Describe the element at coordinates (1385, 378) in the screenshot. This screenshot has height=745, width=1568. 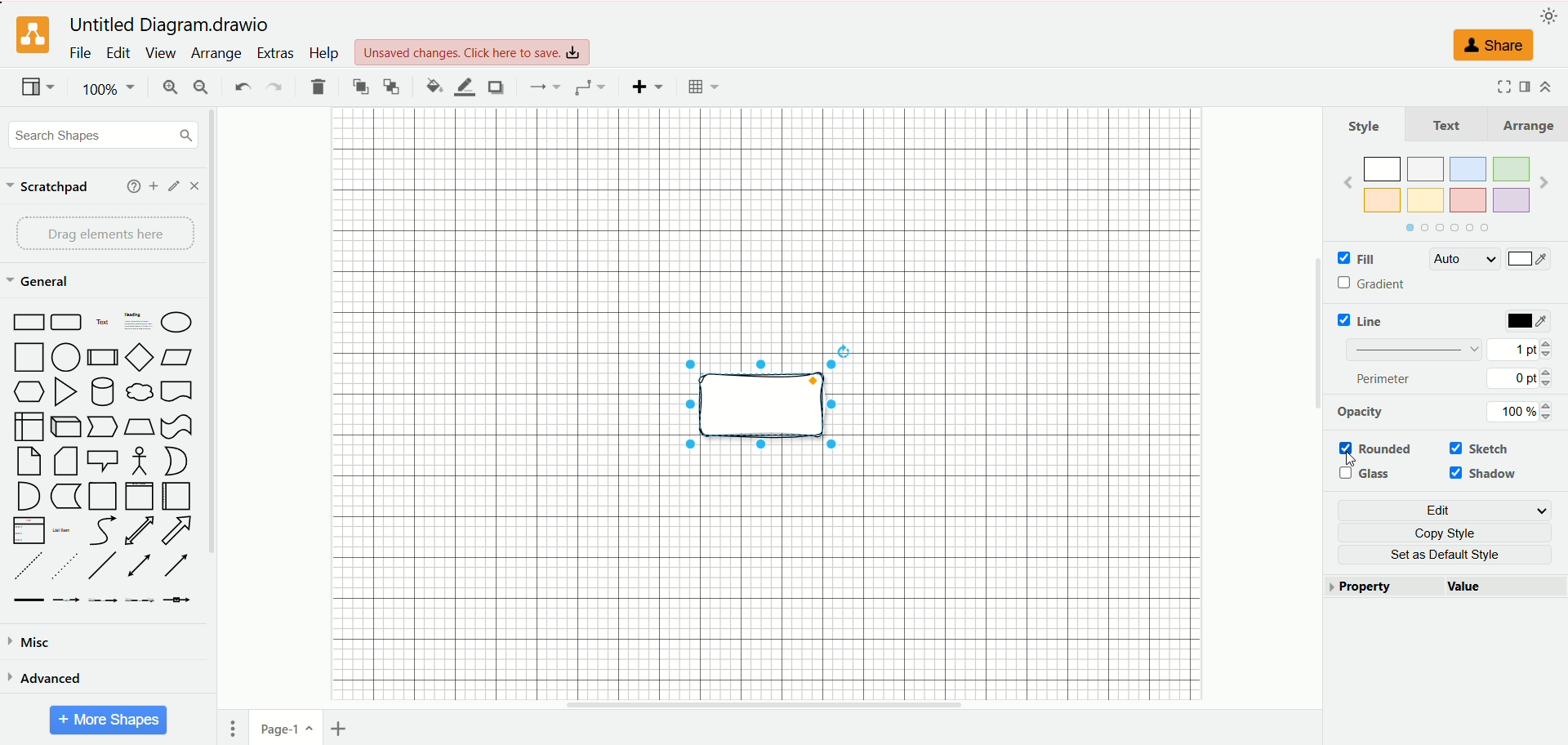
I see `perimeter` at that location.